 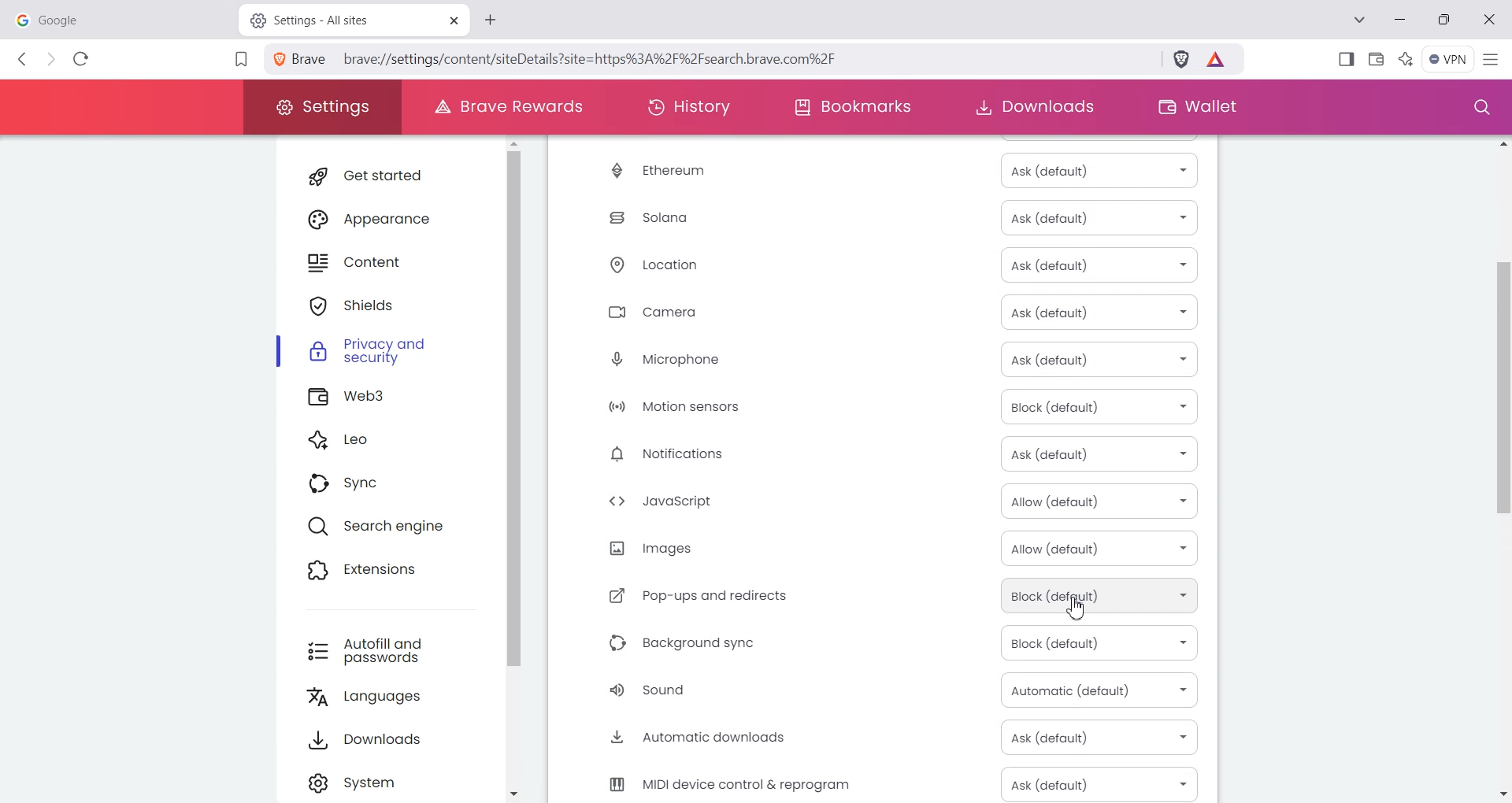 What do you see at coordinates (391, 398) in the screenshot?
I see `Web3` at bounding box center [391, 398].